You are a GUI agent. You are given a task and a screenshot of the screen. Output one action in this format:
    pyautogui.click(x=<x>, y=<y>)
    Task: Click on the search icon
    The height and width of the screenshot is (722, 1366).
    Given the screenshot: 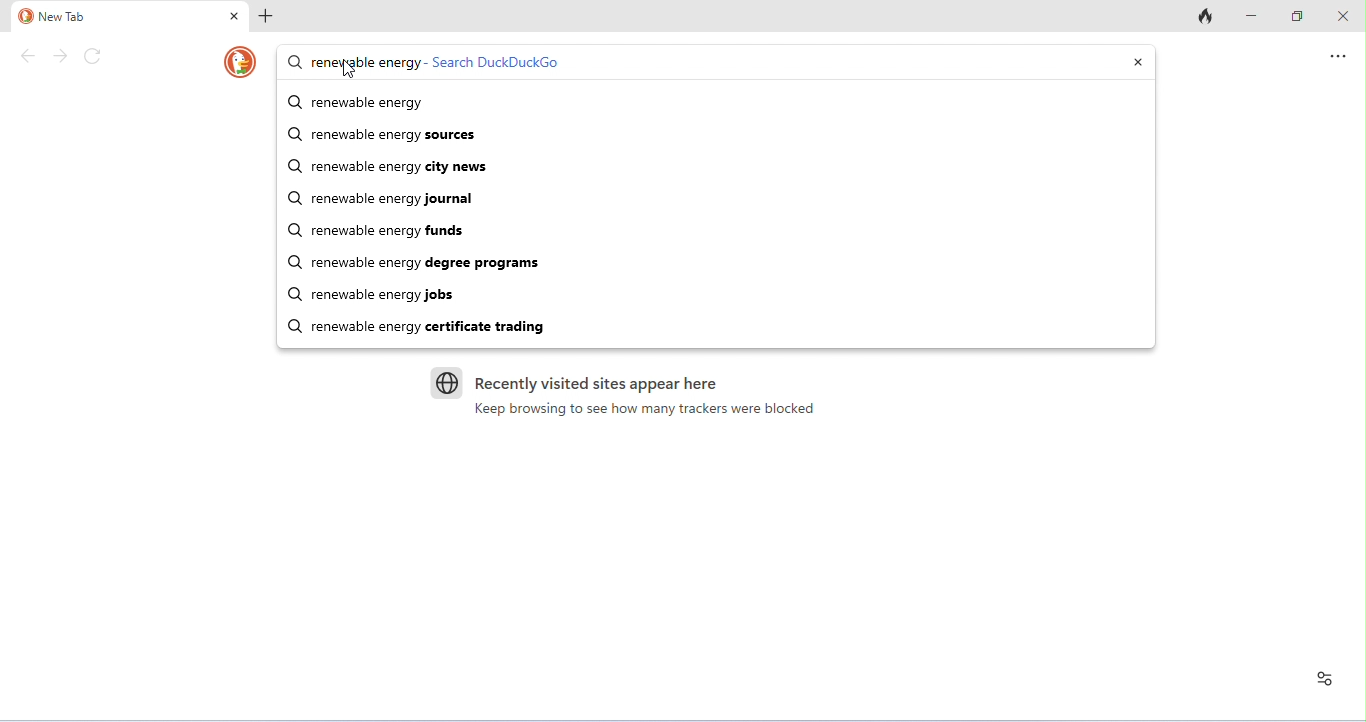 What is the action you would take?
    pyautogui.click(x=291, y=261)
    